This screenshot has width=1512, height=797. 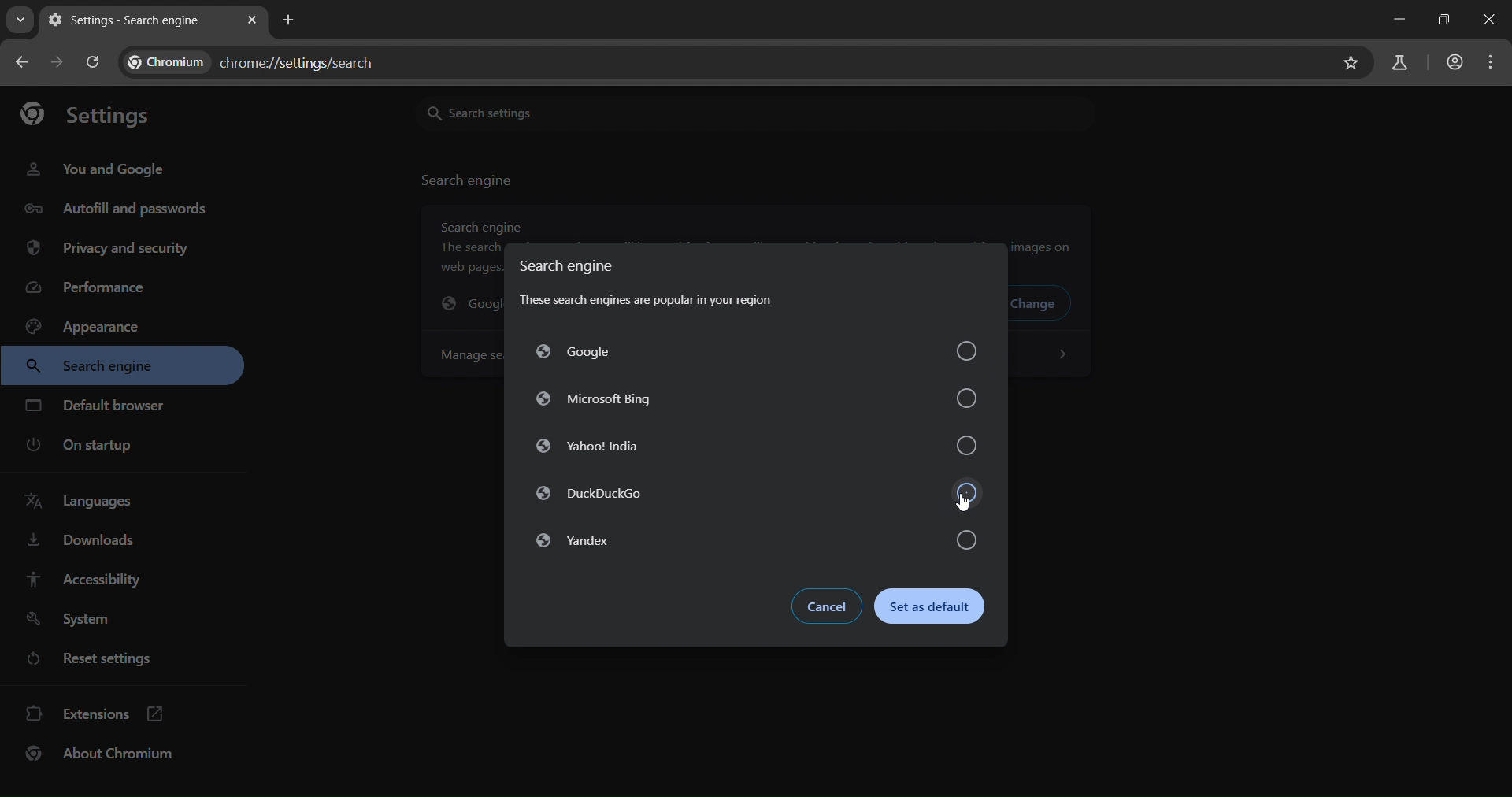 I want to click on accessibility, so click(x=96, y=579).